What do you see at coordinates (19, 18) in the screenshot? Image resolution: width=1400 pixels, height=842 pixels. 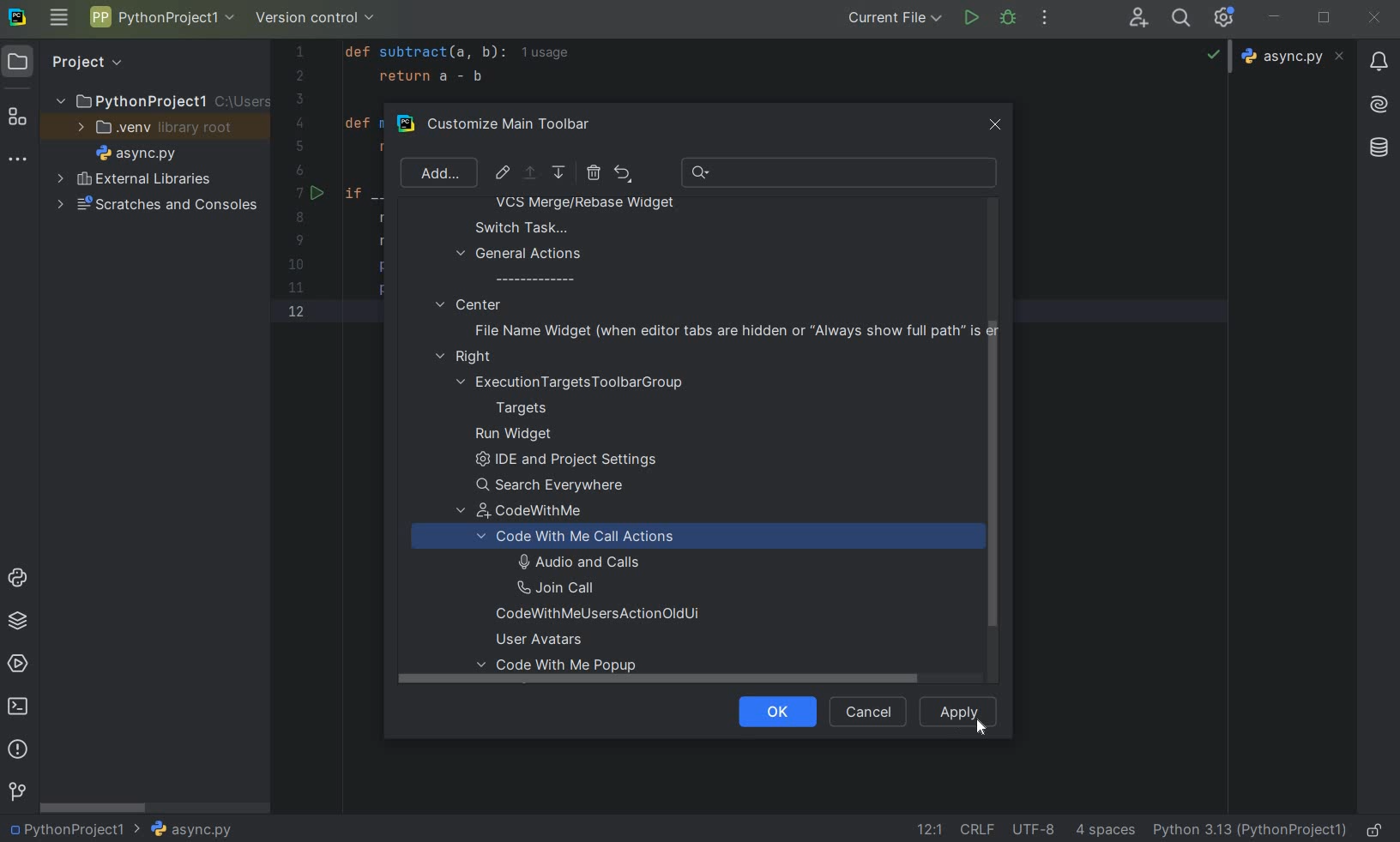 I see `SYSTEM LOGO` at bounding box center [19, 18].